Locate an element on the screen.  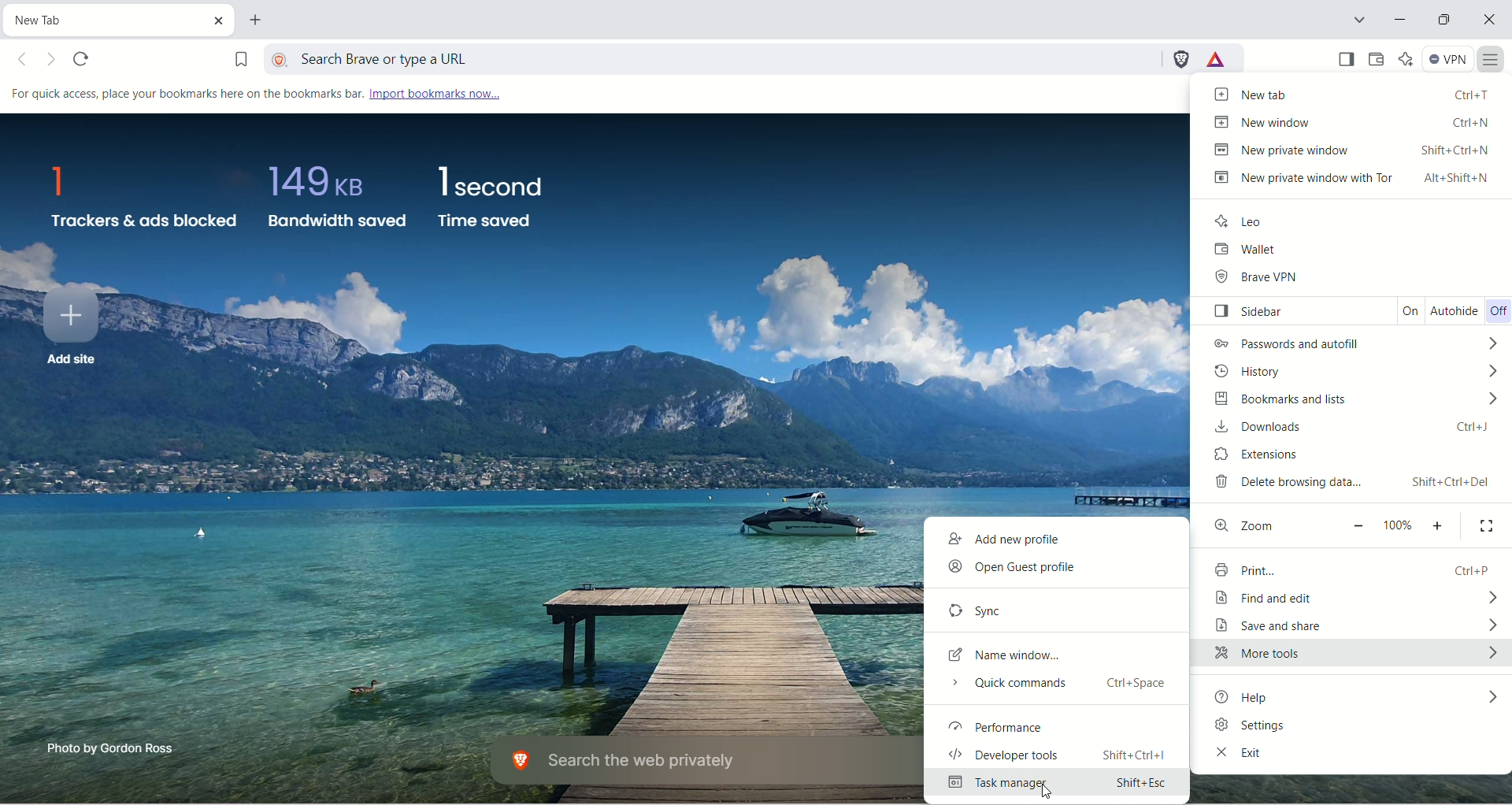
downloads is located at coordinates (1354, 428).